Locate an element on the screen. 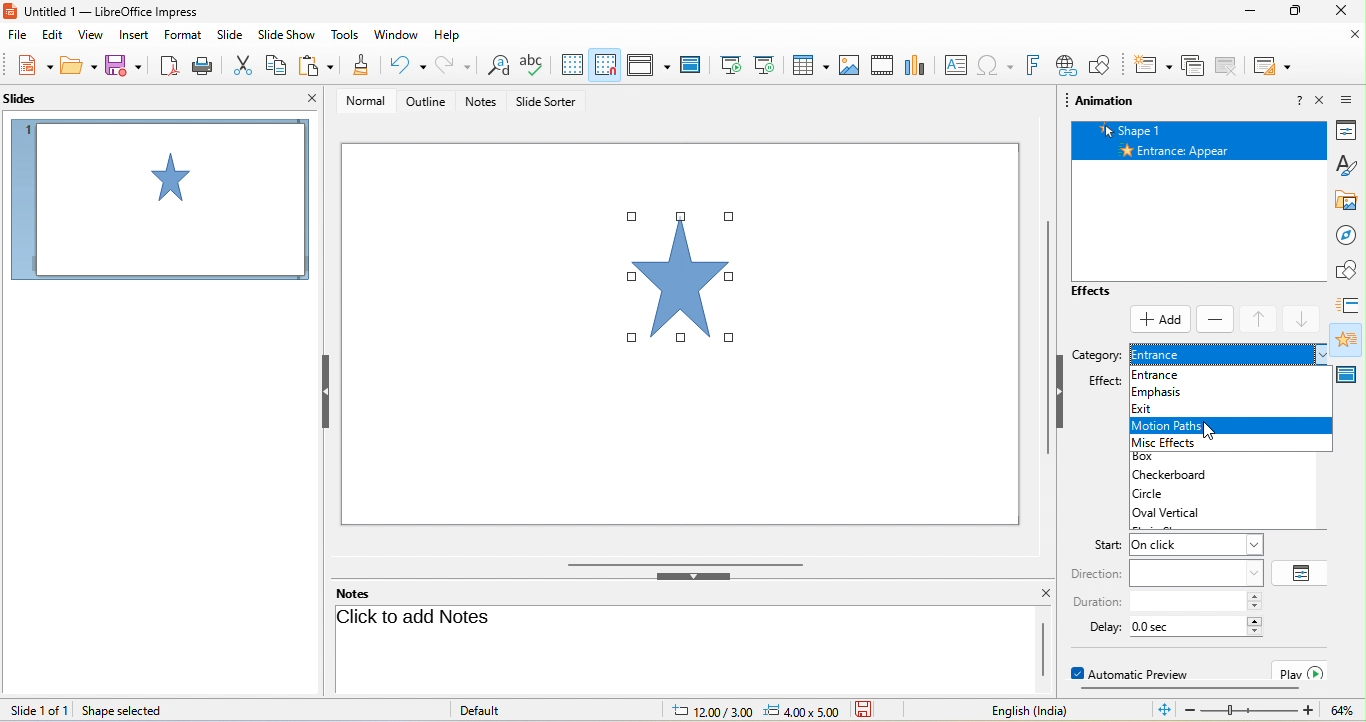 The image size is (1366, 722). gallery is located at coordinates (1351, 201).